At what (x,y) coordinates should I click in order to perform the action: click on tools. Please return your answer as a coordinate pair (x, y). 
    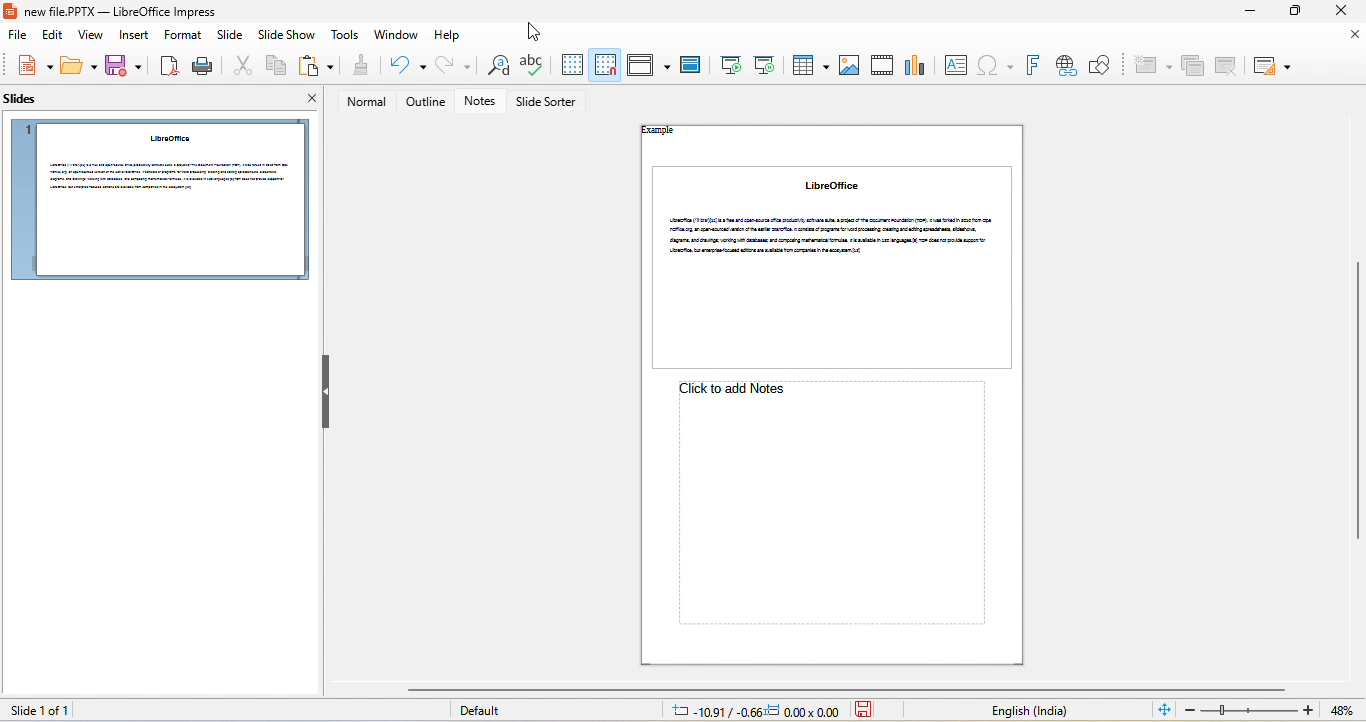
    Looking at the image, I should click on (347, 36).